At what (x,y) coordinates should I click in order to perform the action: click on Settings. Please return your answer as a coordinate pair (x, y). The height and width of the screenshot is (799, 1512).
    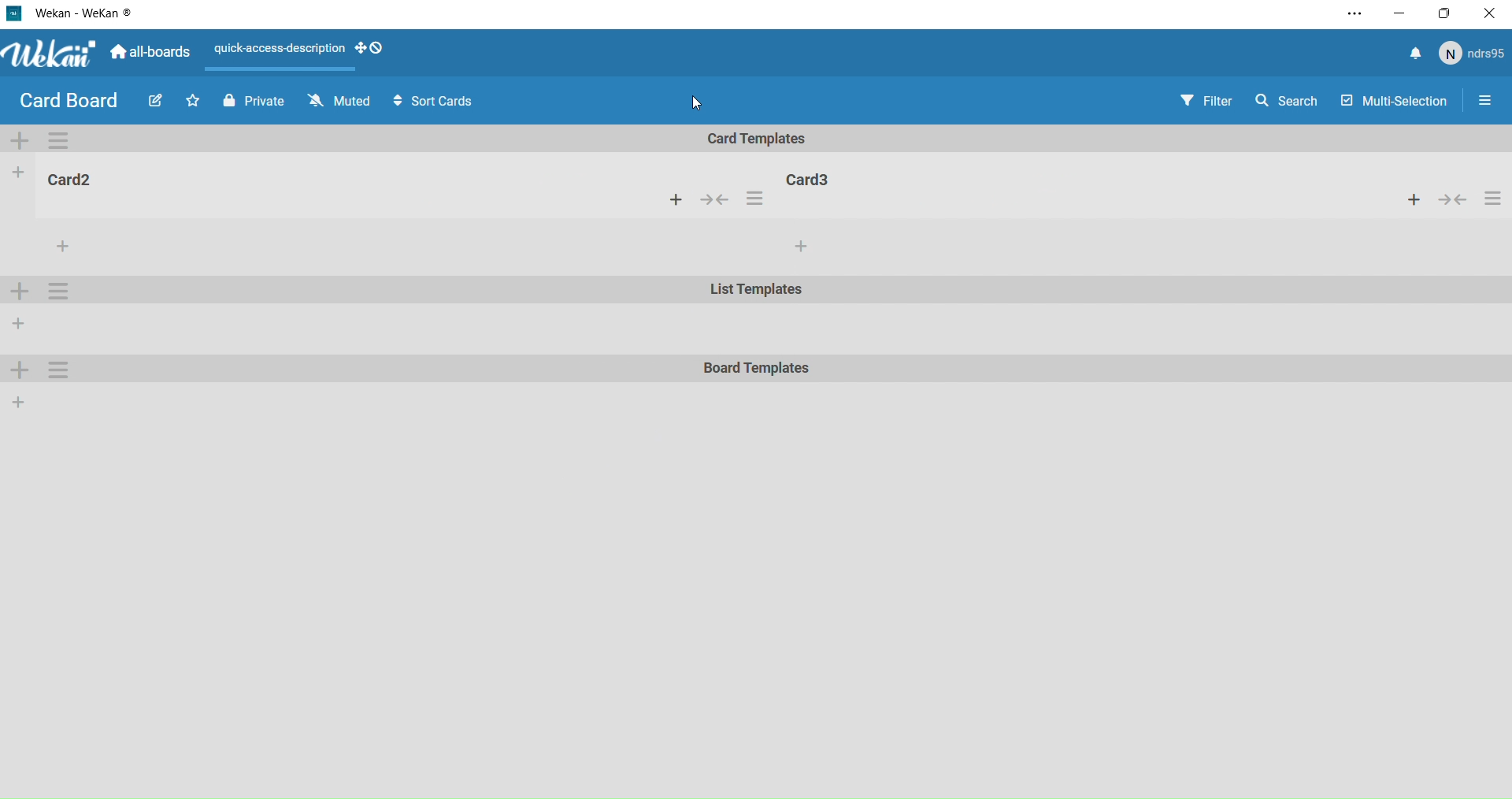
    Looking at the image, I should click on (58, 139).